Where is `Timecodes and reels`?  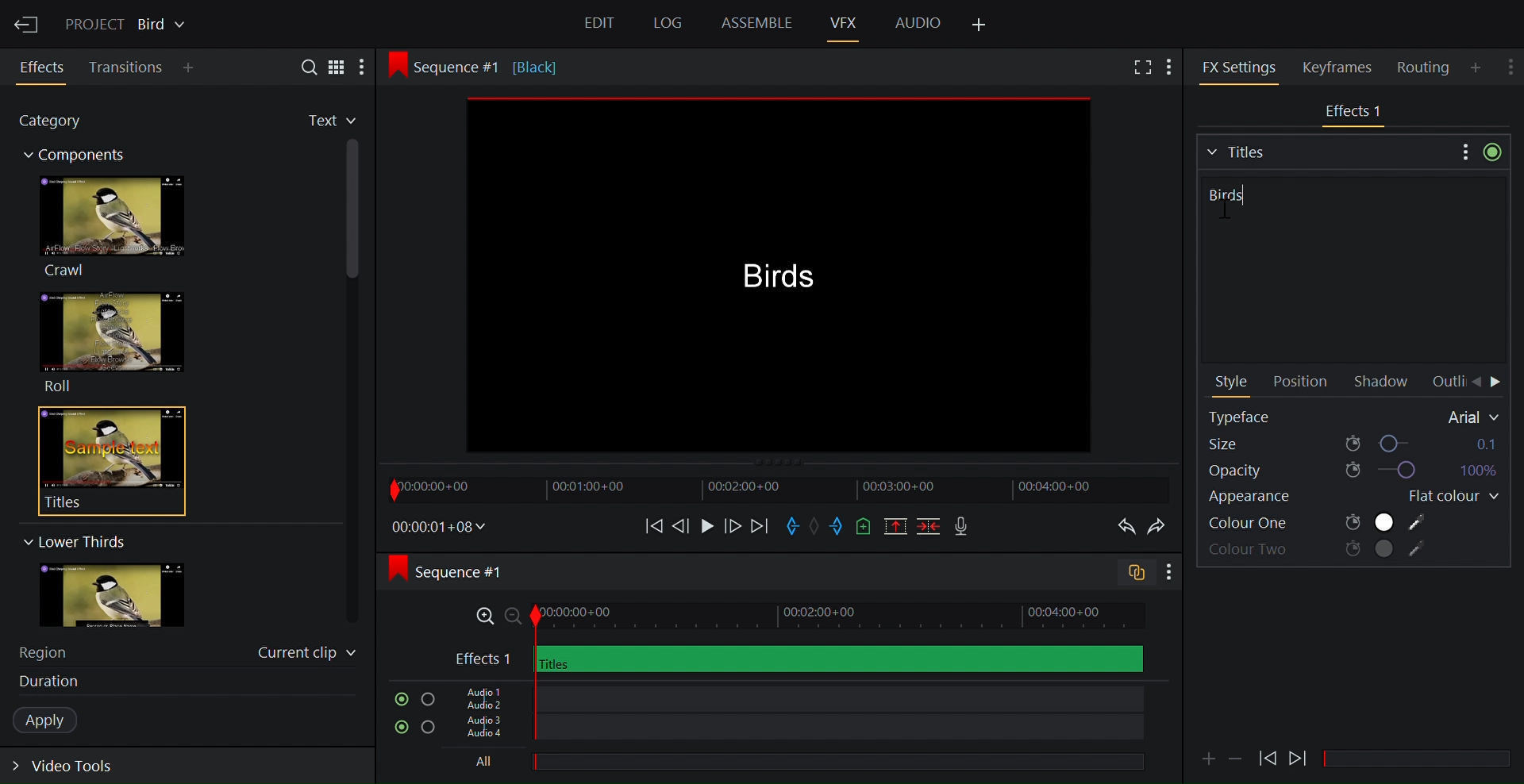 Timecodes and reels is located at coordinates (440, 527).